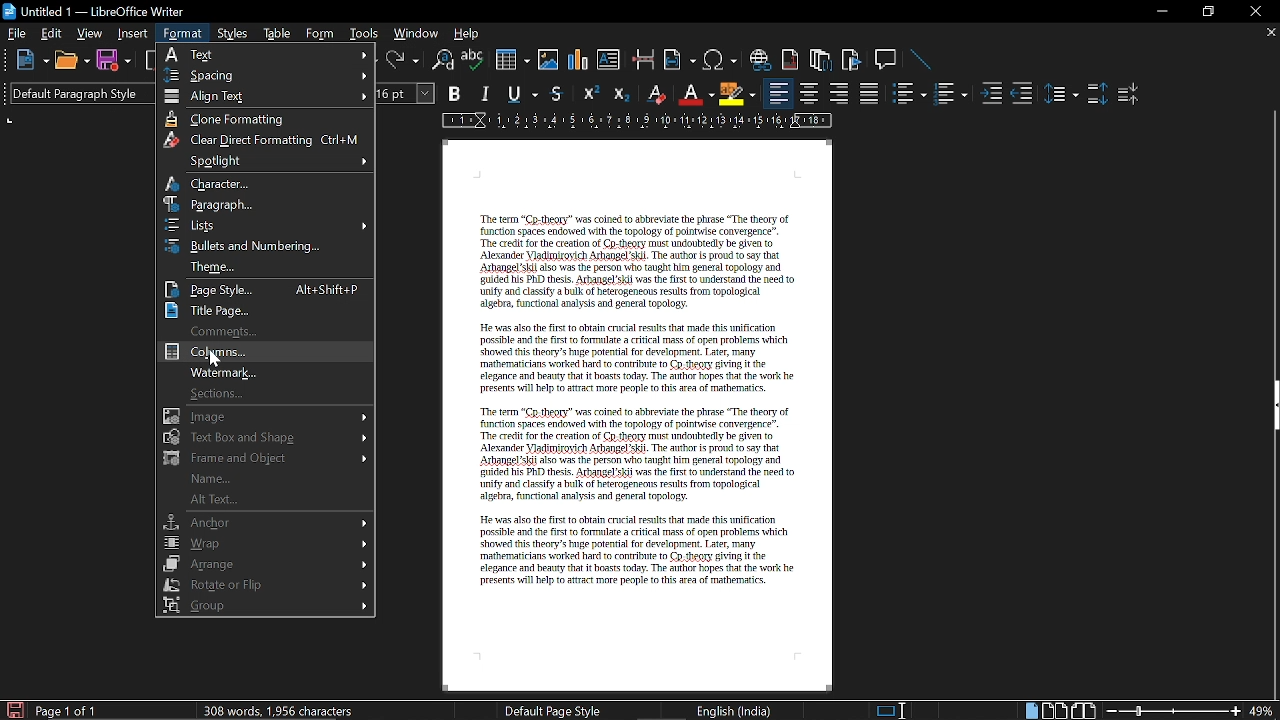 This screenshot has height=720, width=1280. Describe the element at coordinates (11, 709) in the screenshot. I see `Save` at that location.